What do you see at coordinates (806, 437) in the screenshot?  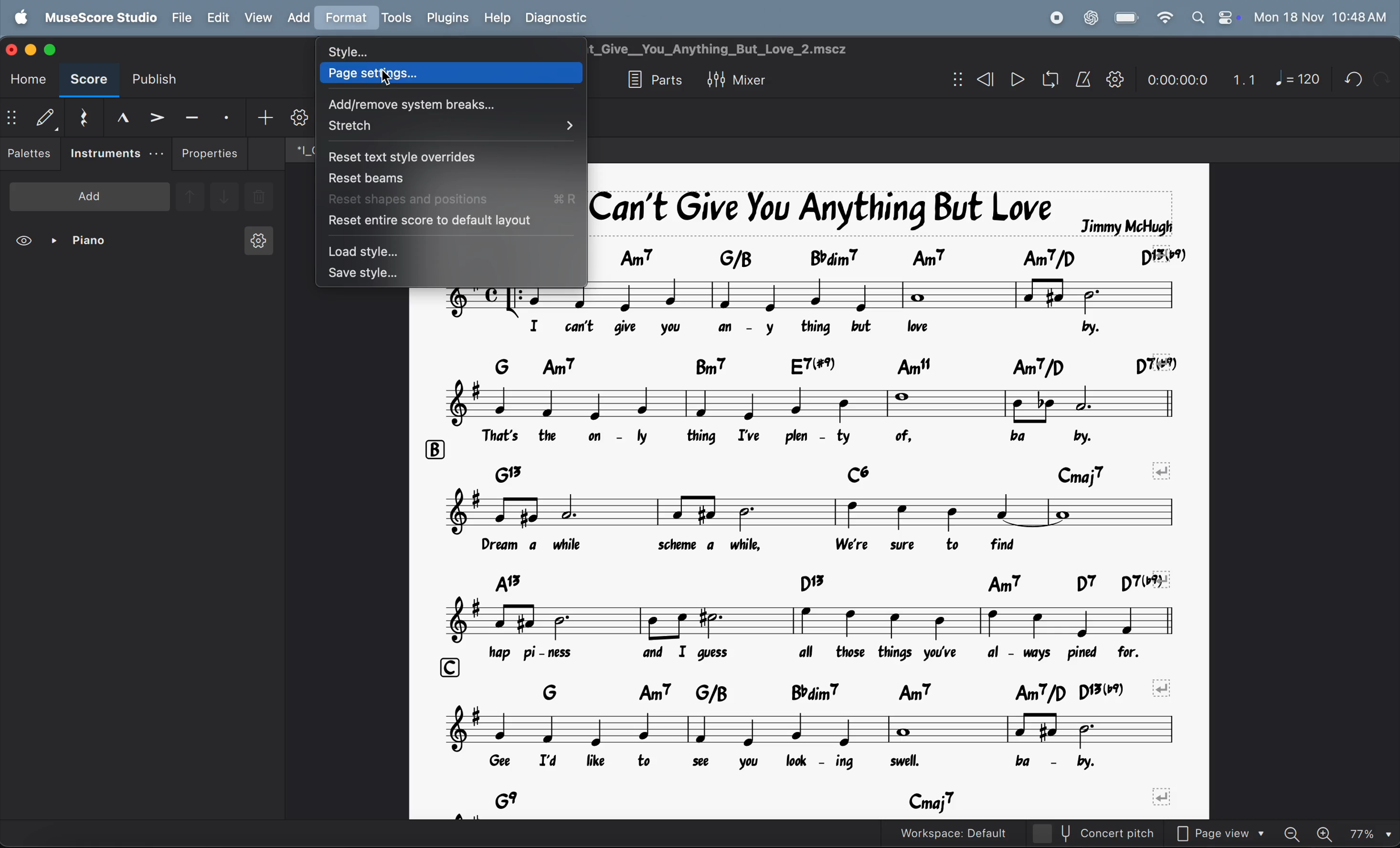 I see `lyrics` at bounding box center [806, 437].